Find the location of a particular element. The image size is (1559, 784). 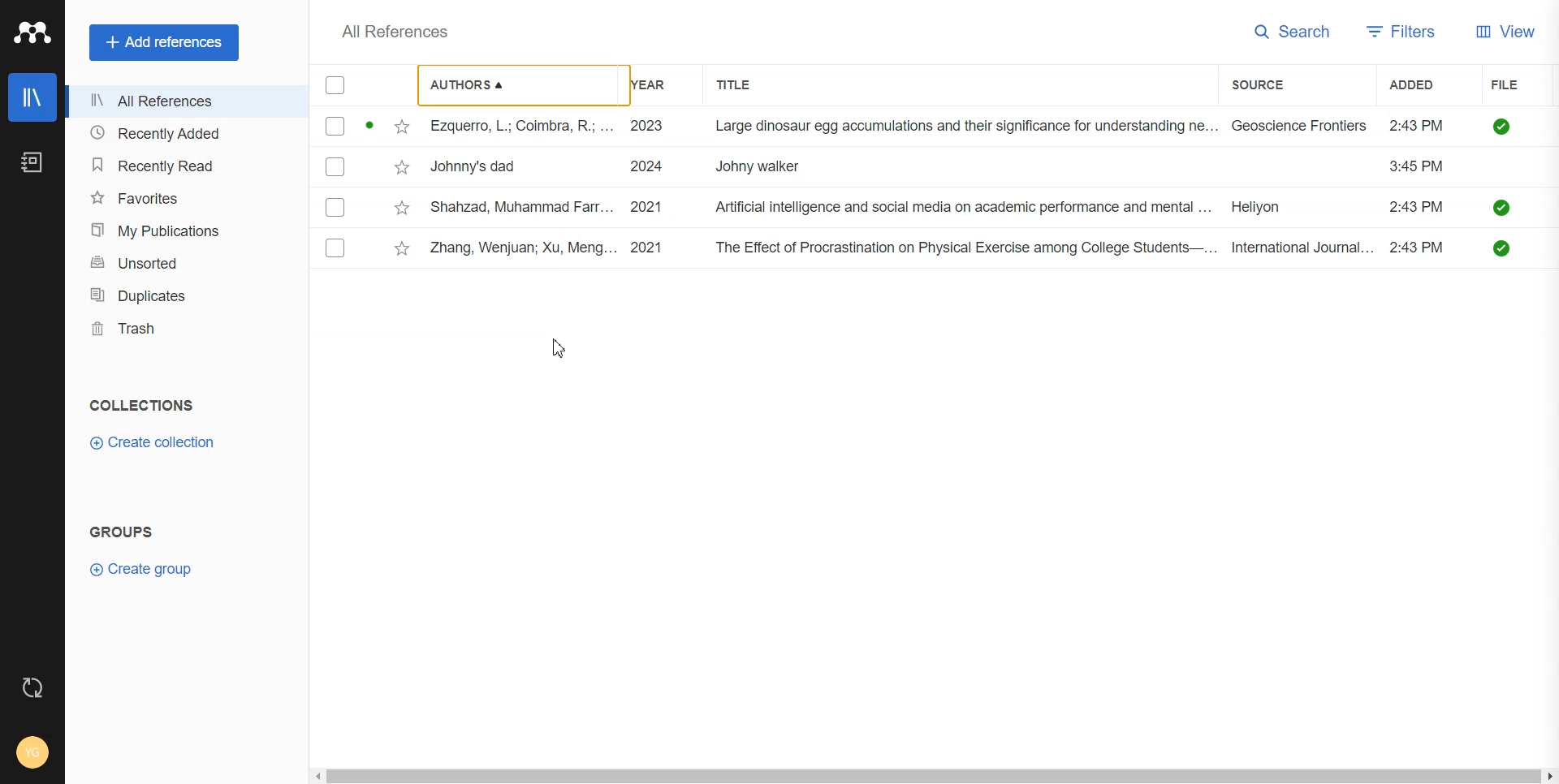

View is located at coordinates (1510, 32).